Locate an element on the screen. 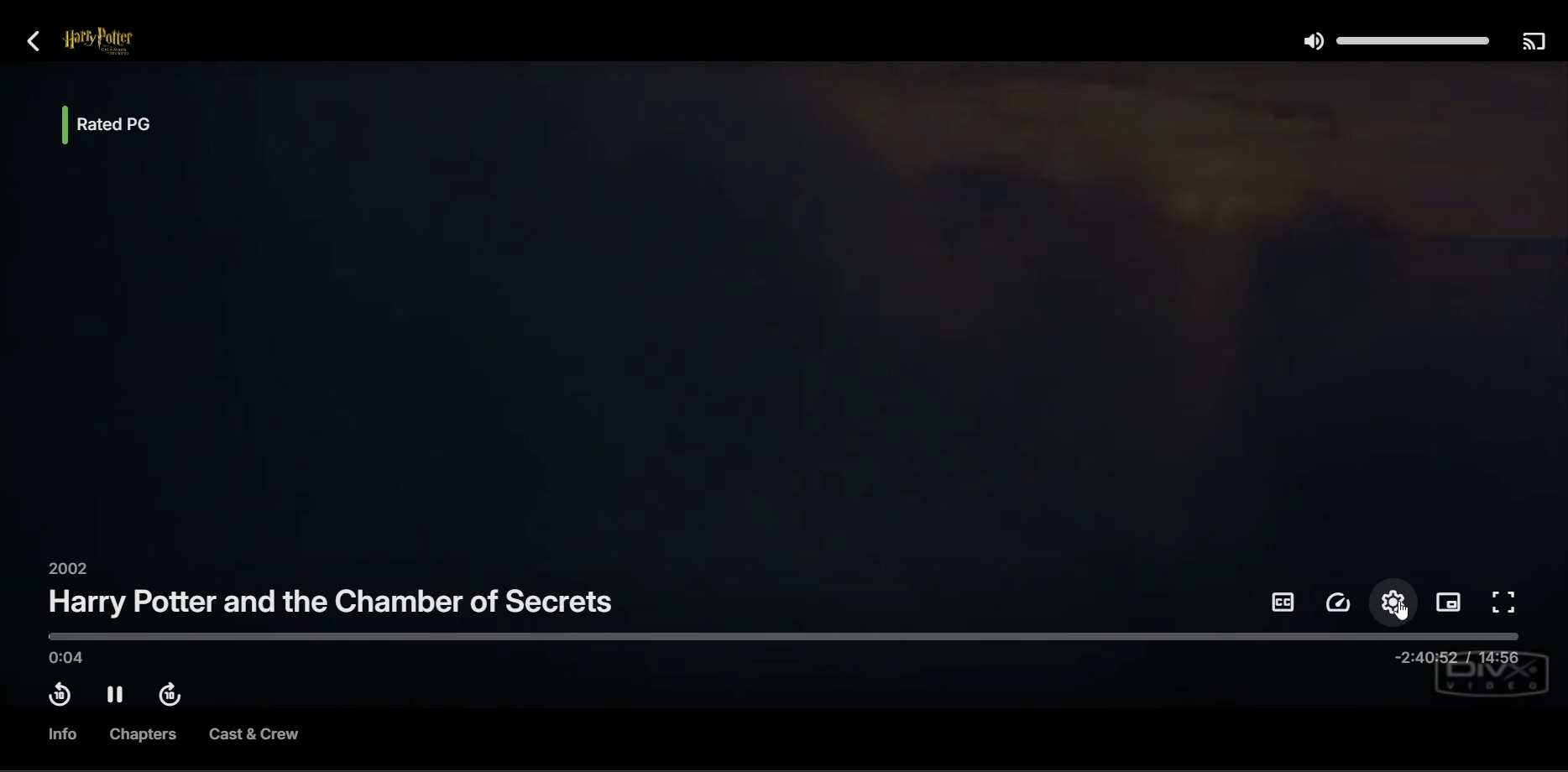  Movie Yerar and Title is located at coordinates (332, 594).